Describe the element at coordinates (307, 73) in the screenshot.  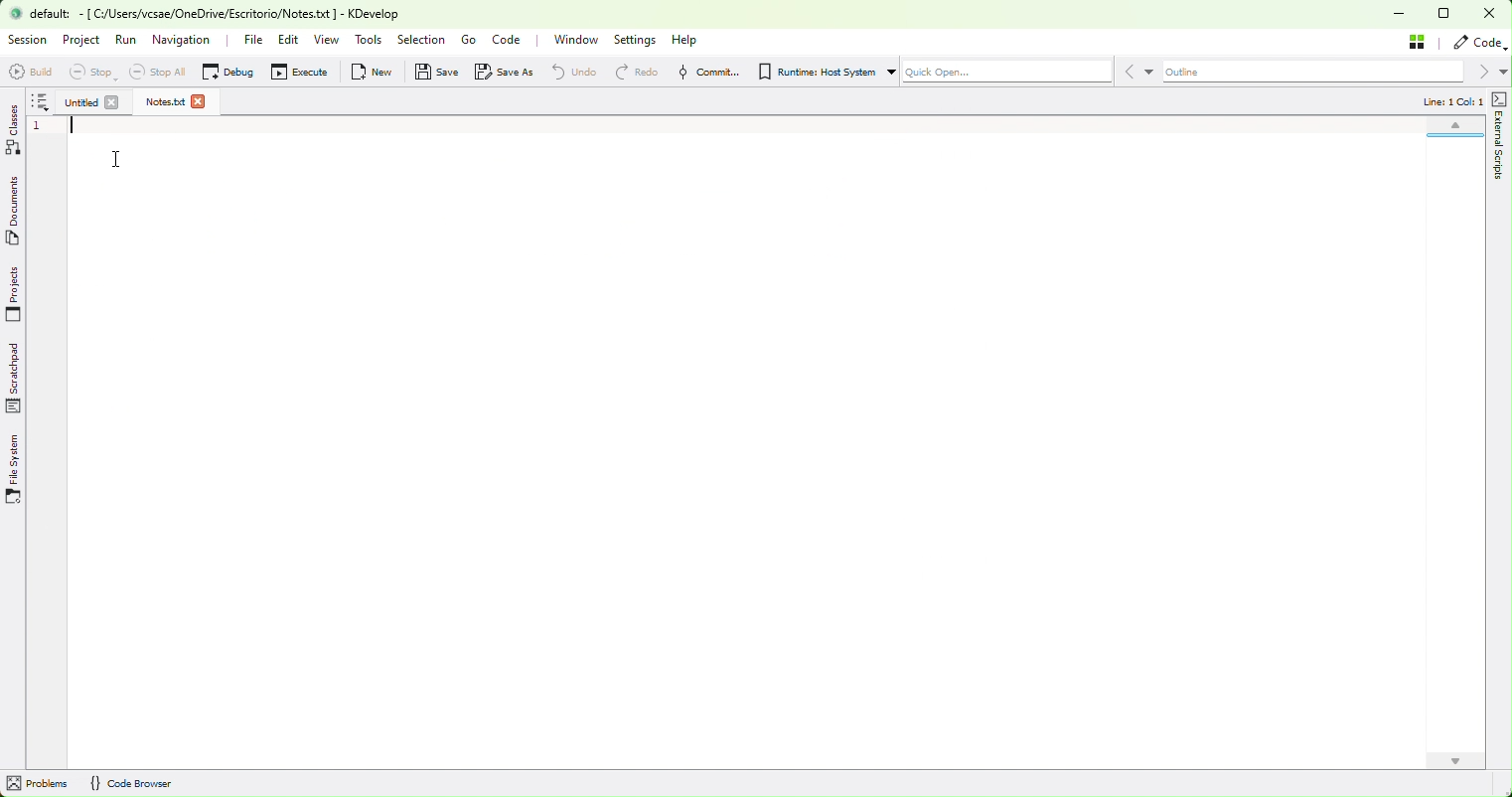
I see `Execute` at that location.